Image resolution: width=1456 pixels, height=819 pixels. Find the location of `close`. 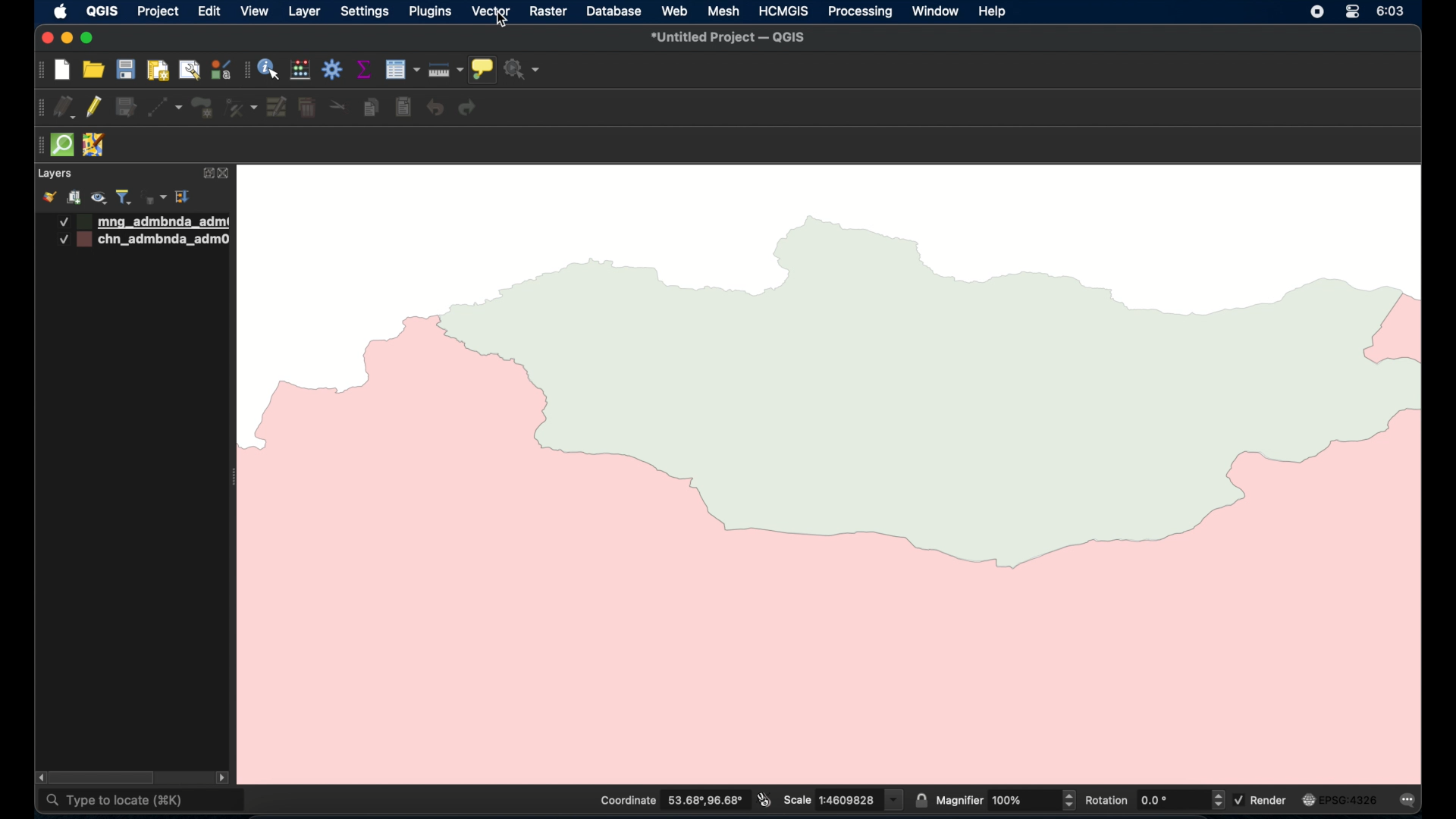

close is located at coordinates (227, 174).